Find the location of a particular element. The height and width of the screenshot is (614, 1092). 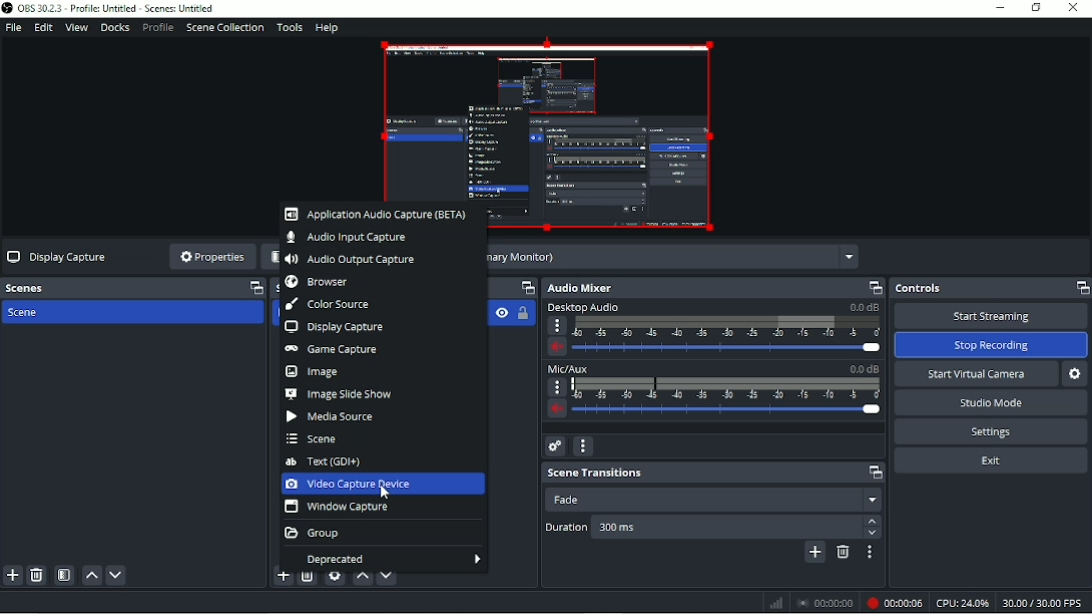

Image is located at coordinates (317, 371).